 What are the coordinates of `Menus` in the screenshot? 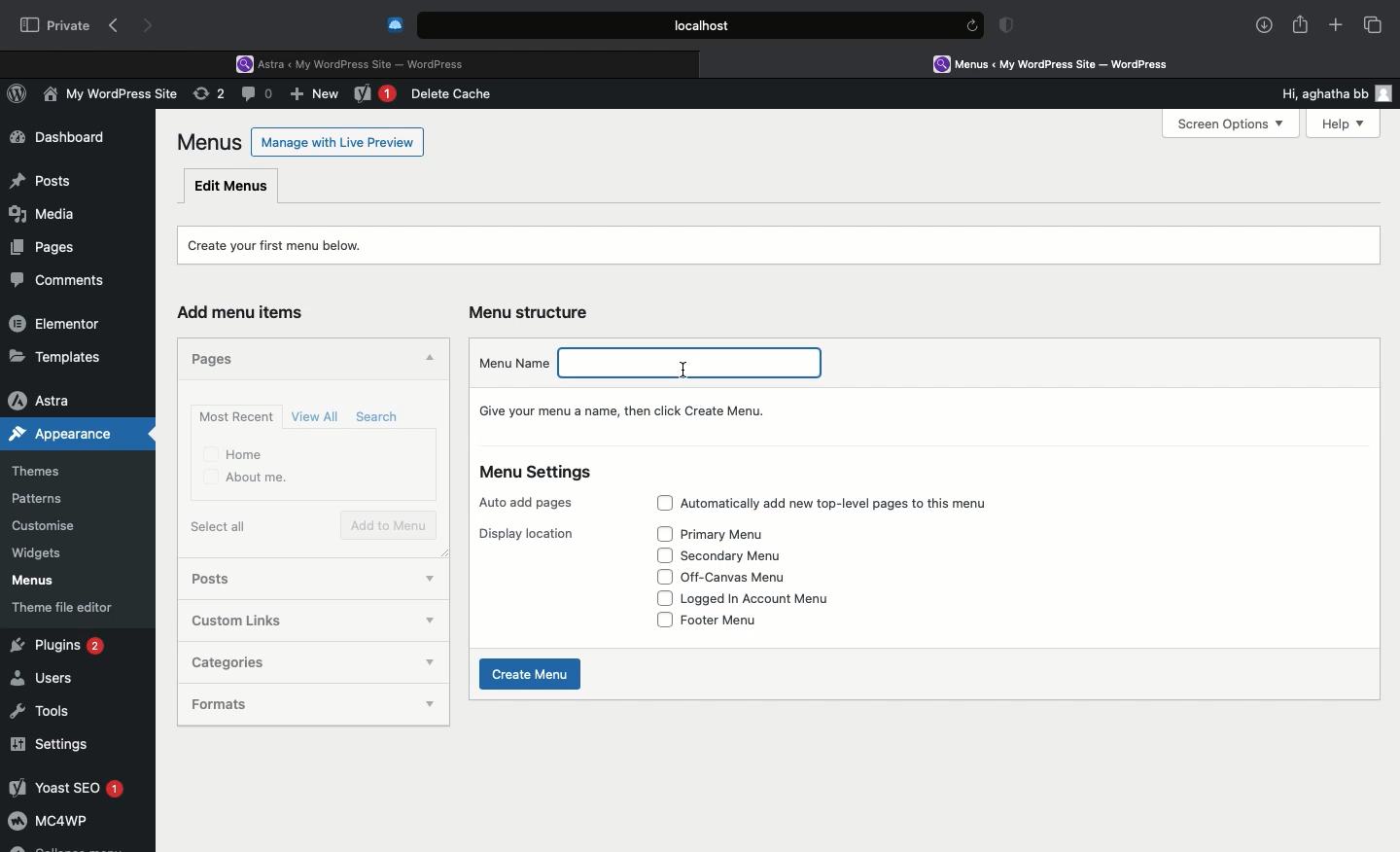 It's located at (211, 142).